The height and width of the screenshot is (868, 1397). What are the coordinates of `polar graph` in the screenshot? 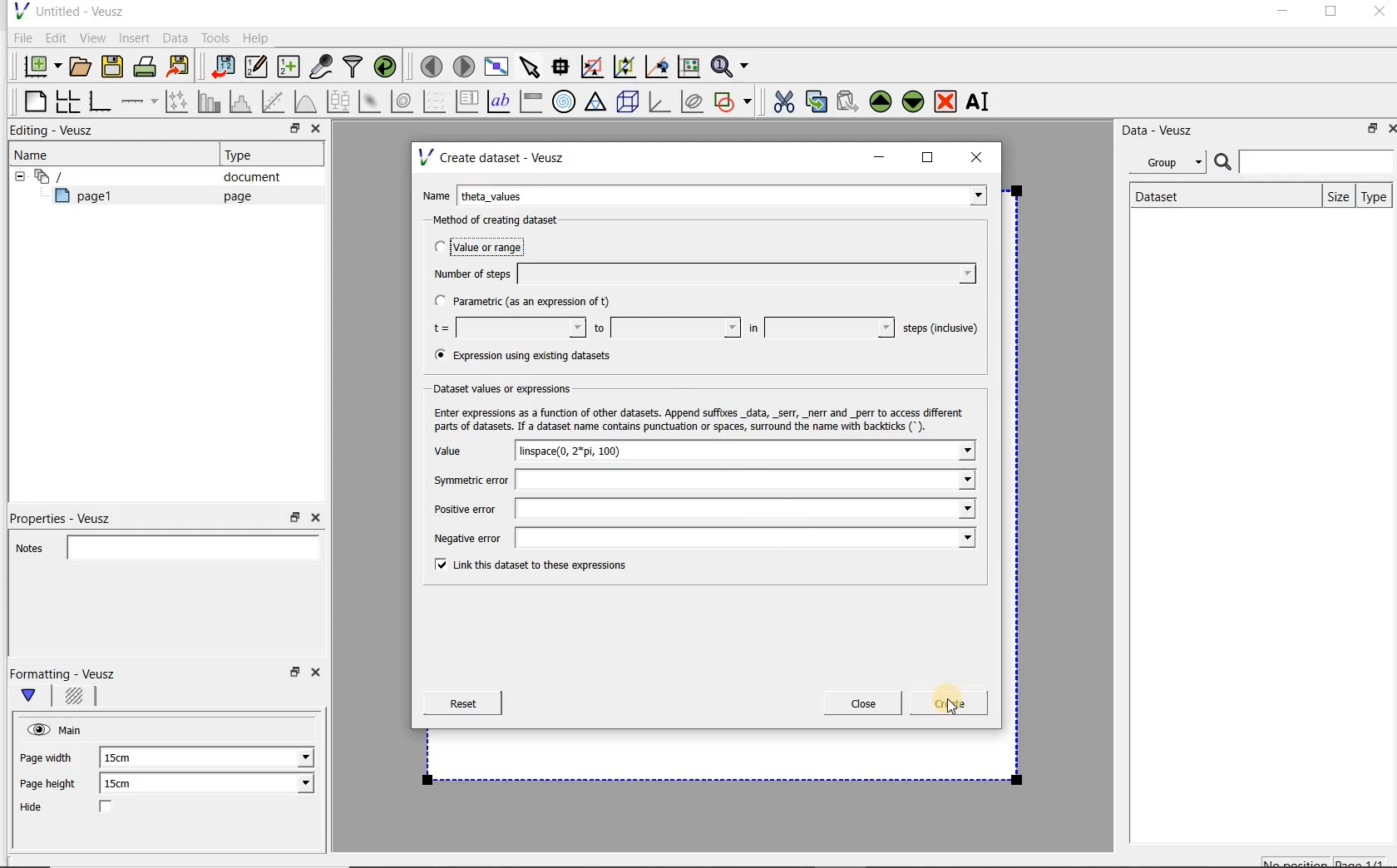 It's located at (565, 101).